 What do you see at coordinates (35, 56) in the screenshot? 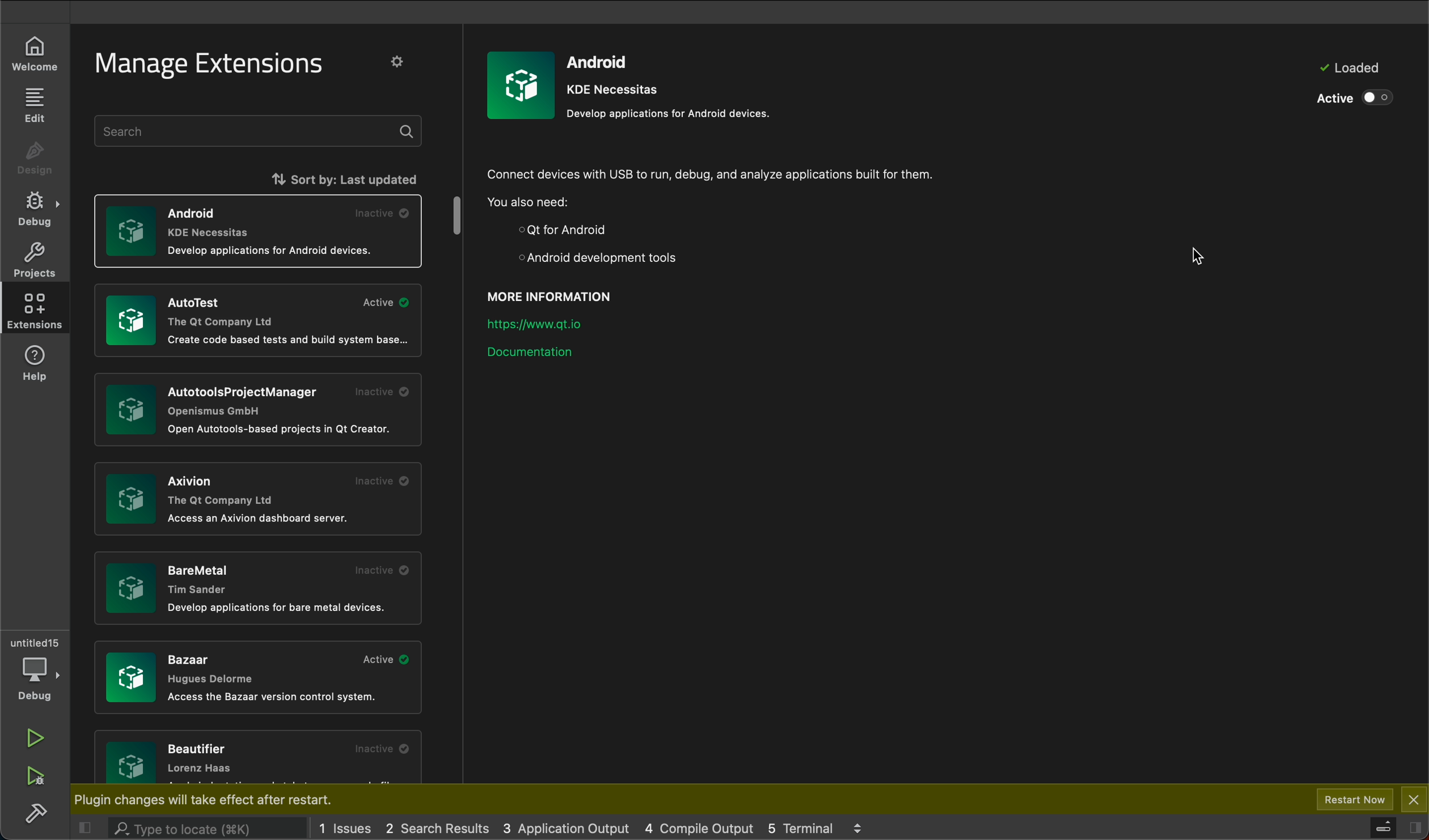
I see `welcome` at bounding box center [35, 56].